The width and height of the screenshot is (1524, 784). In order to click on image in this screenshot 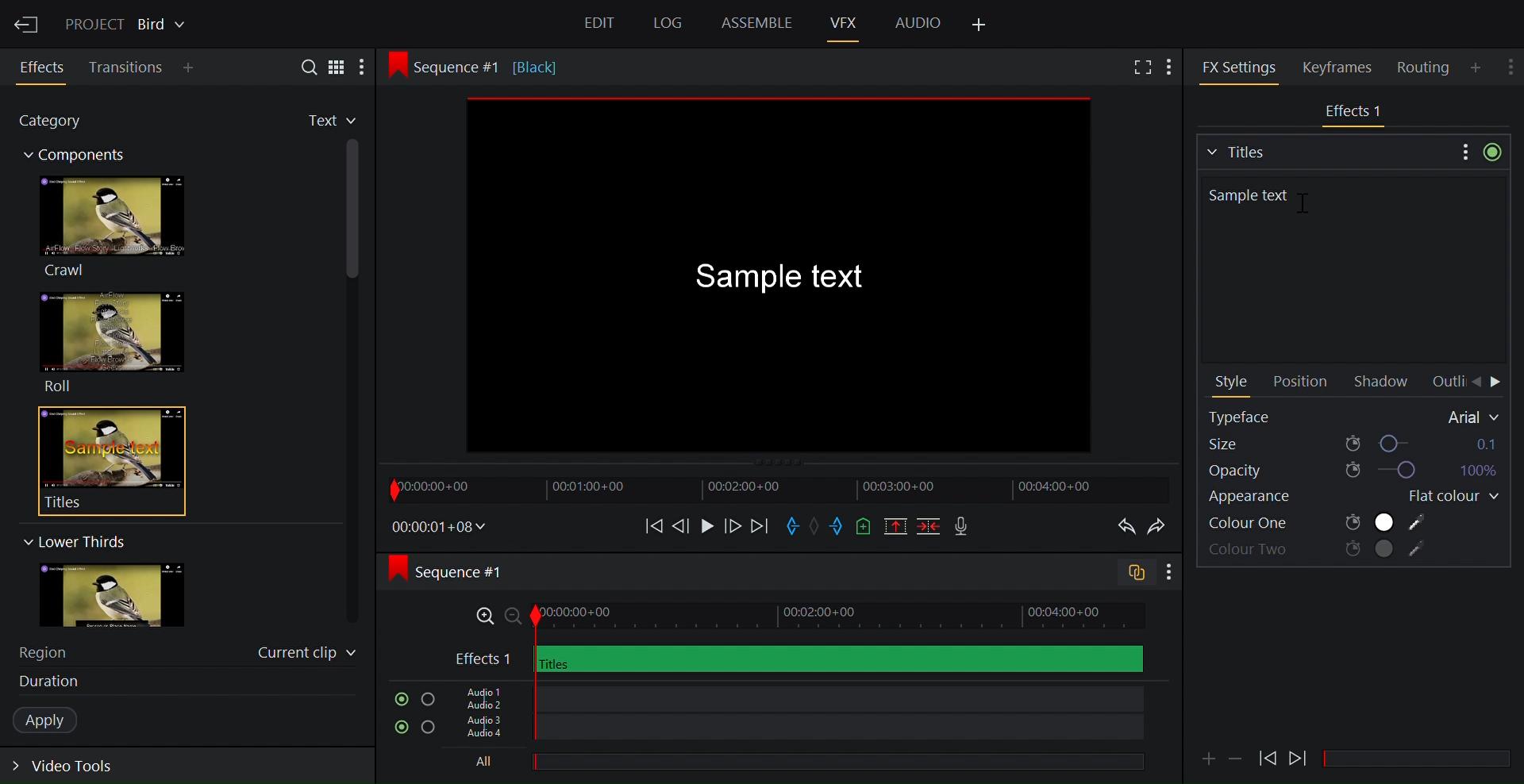, I will do `click(128, 596)`.